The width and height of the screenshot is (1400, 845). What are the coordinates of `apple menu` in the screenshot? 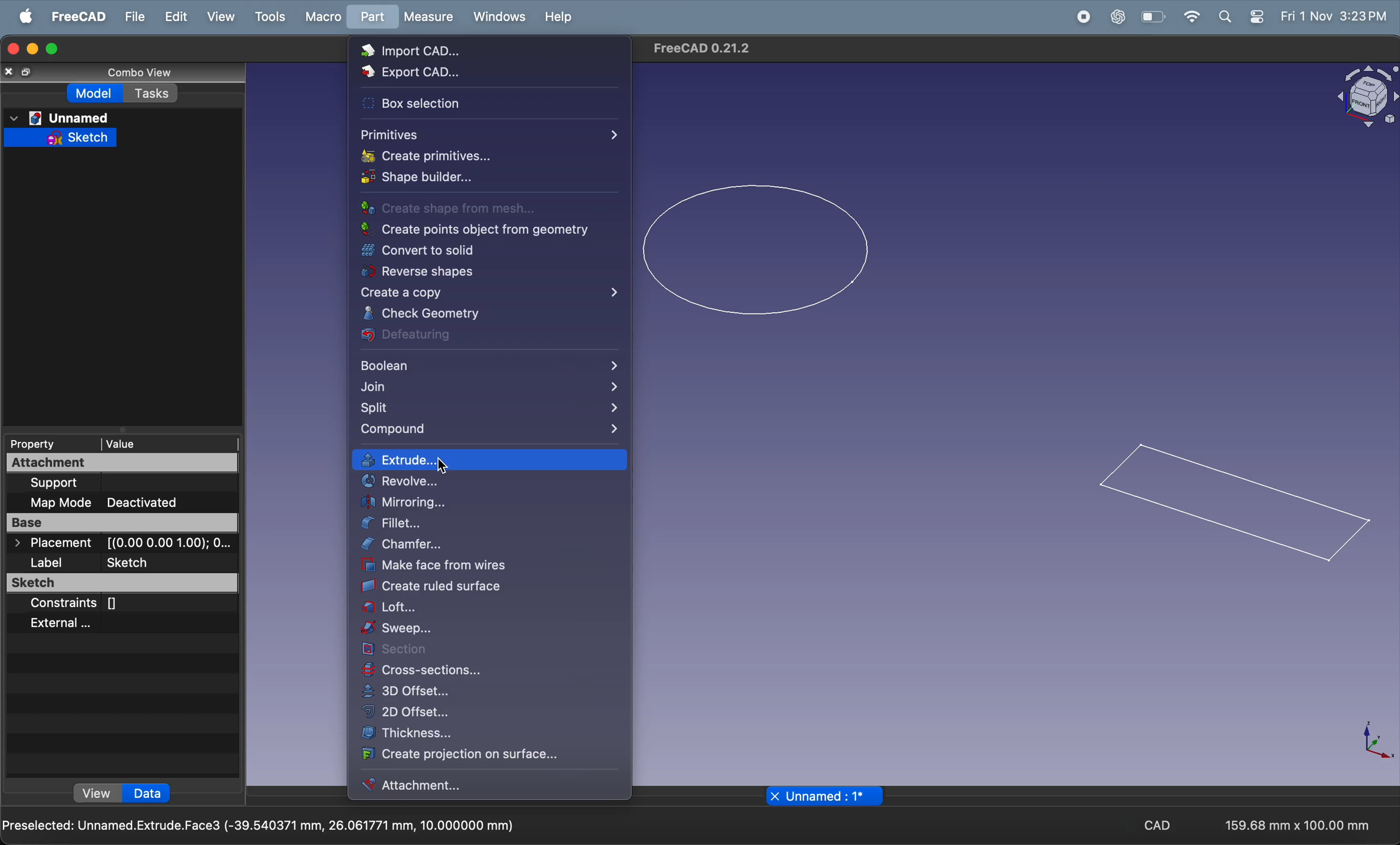 It's located at (25, 16).